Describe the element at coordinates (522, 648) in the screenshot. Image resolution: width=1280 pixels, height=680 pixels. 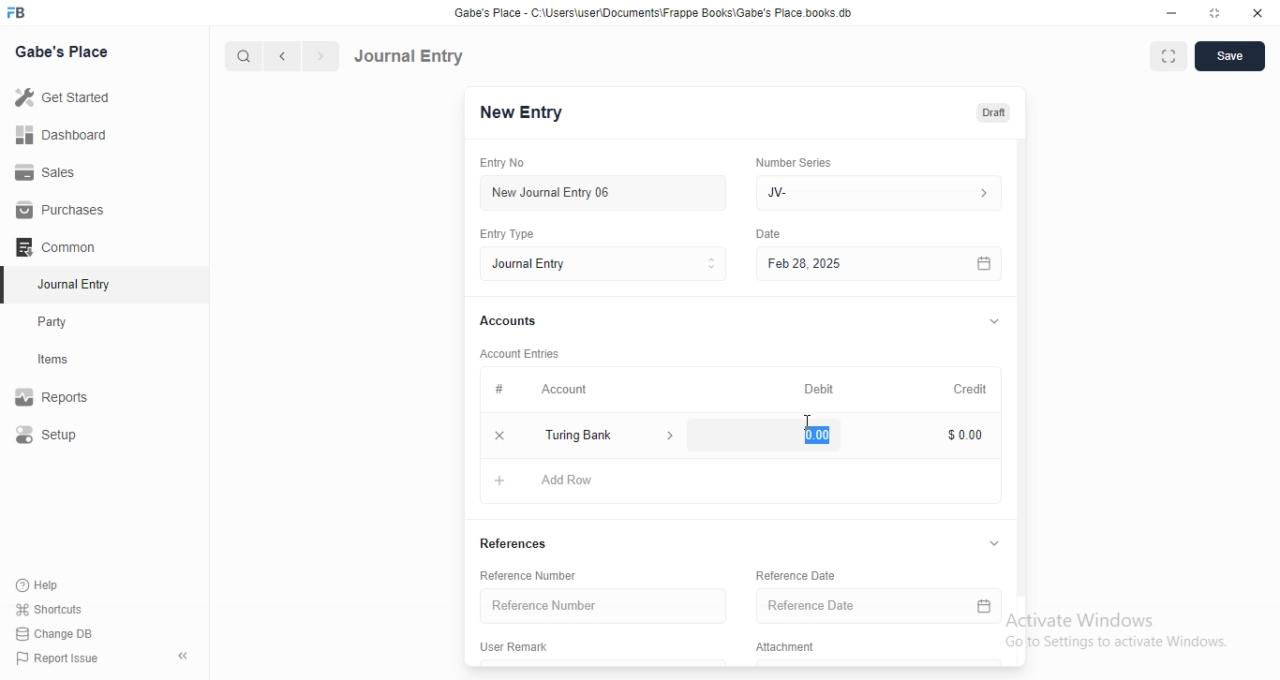
I see `User Remark` at that location.